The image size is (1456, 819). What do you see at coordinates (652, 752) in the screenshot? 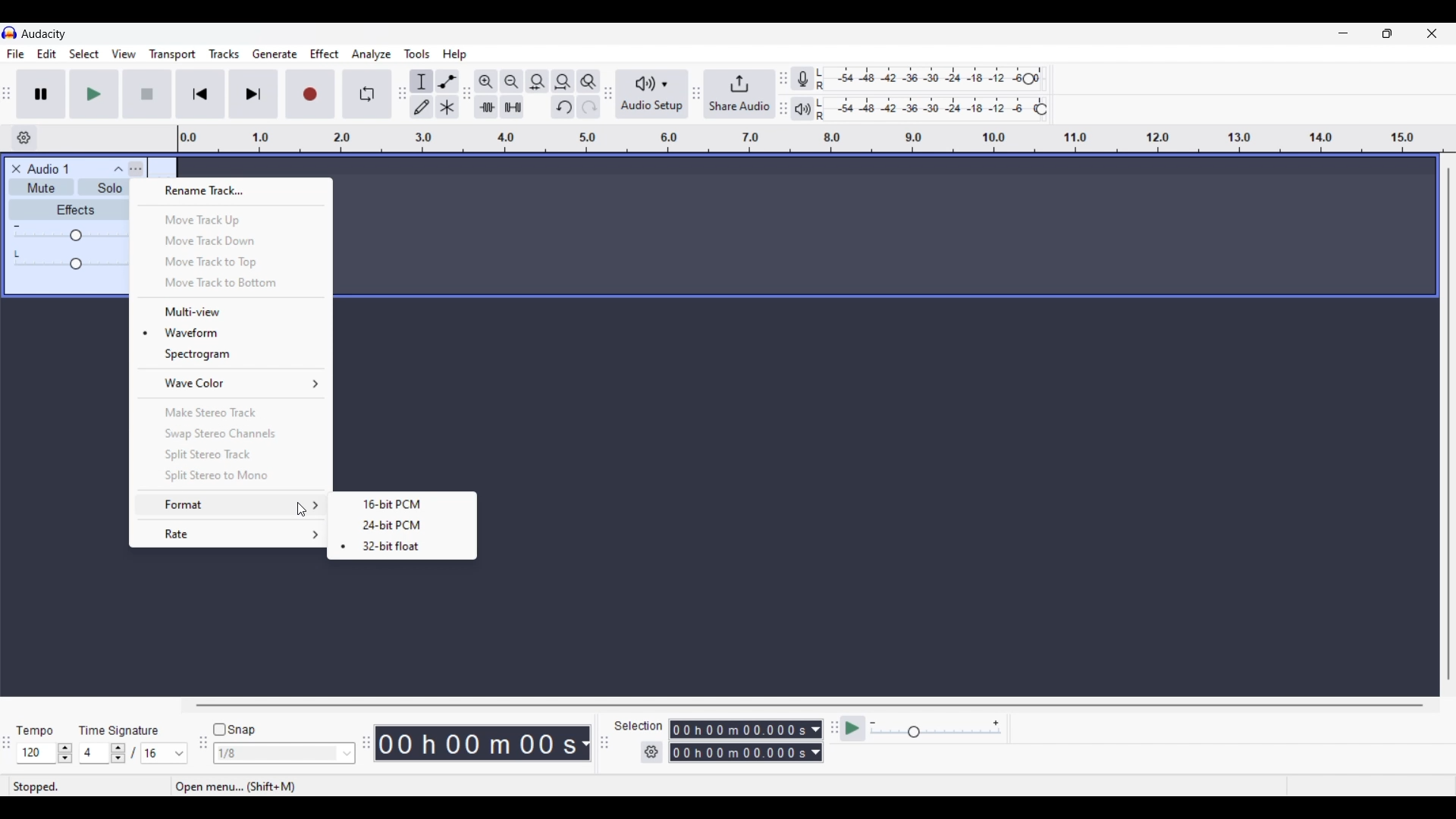
I see `Selection settings` at bounding box center [652, 752].